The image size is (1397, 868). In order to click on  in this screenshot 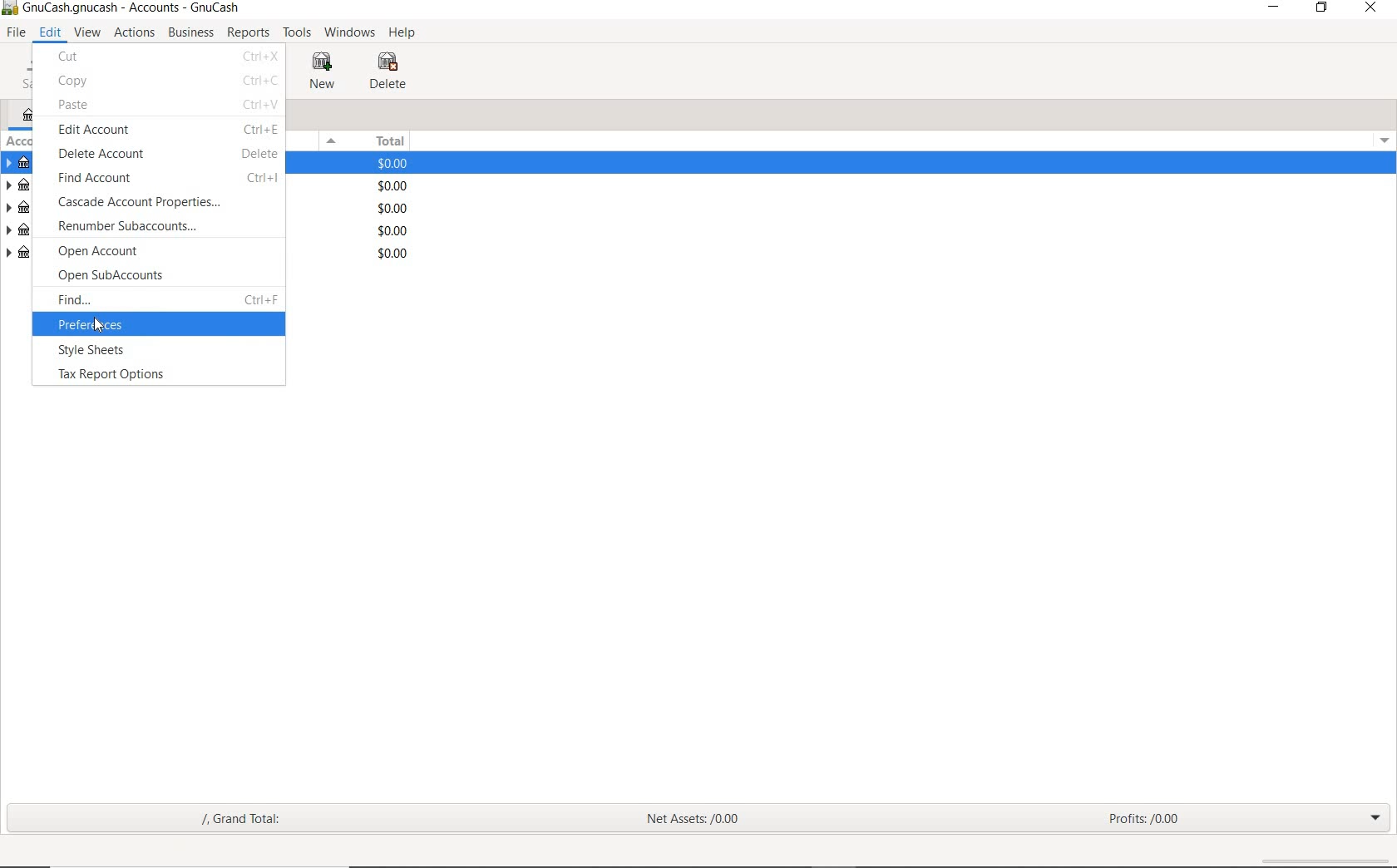, I will do `click(258, 56)`.